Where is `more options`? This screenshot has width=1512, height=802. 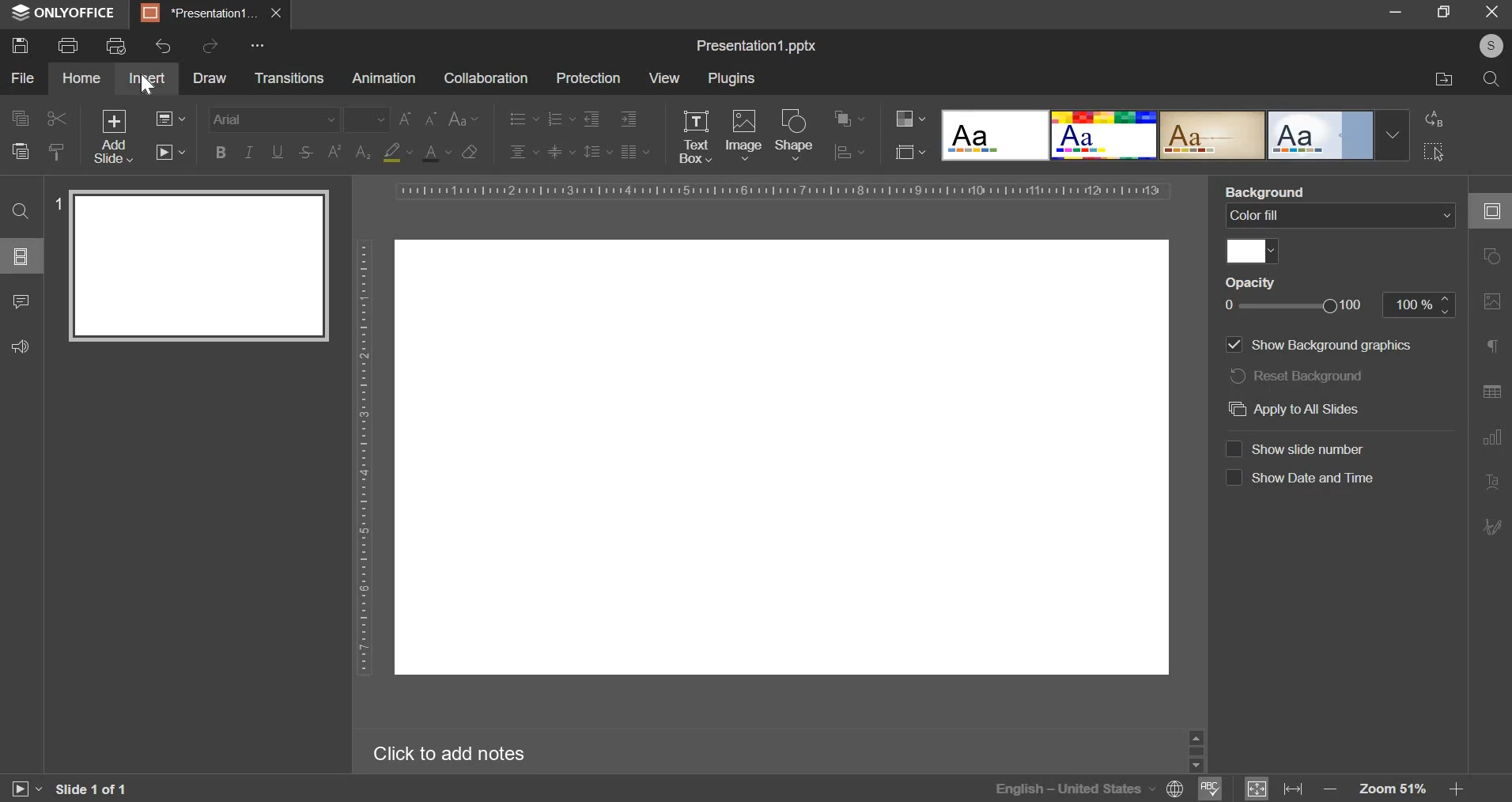
more options is located at coordinates (262, 47).